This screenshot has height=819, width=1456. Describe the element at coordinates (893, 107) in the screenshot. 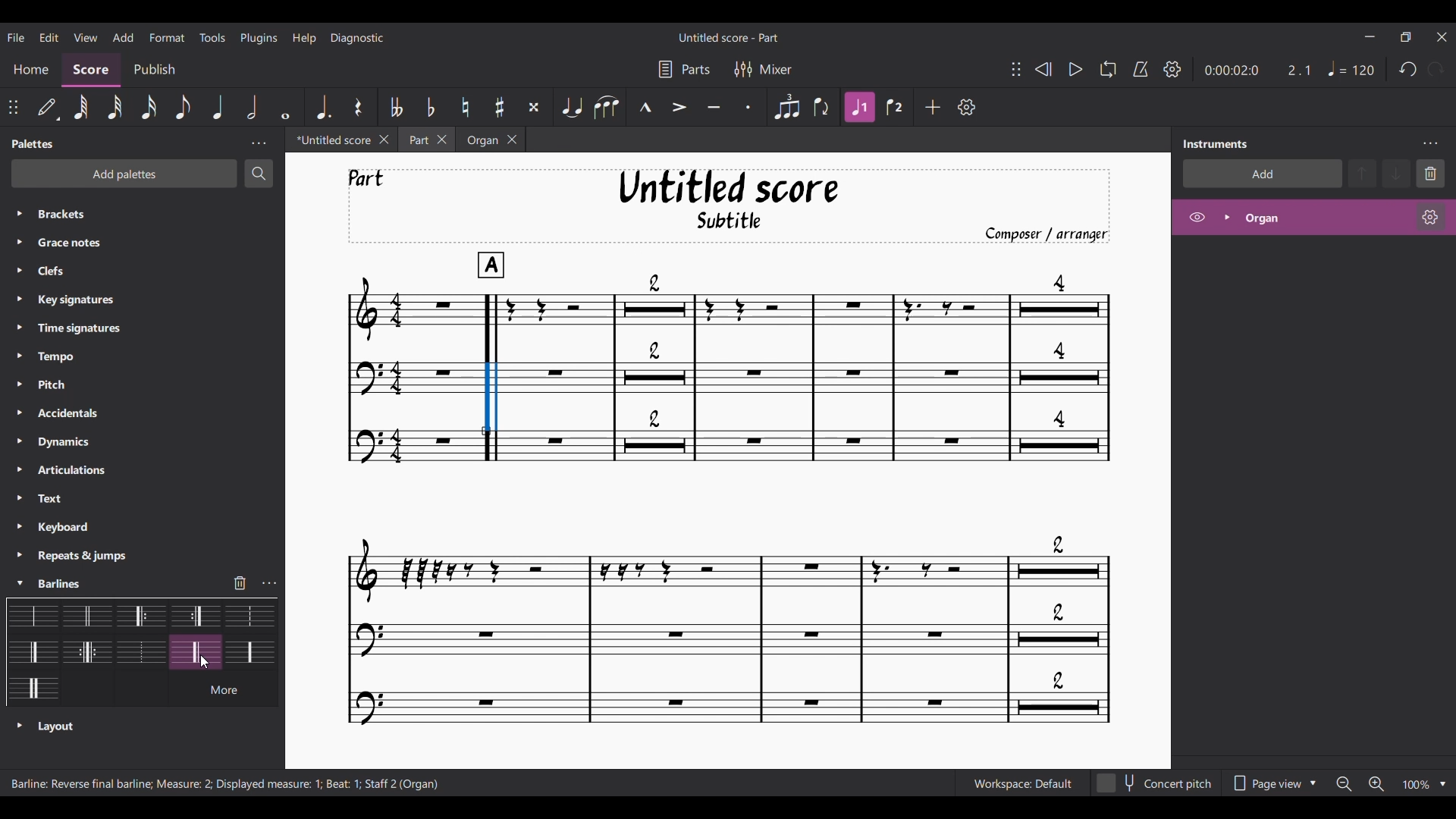

I see `Voice 2` at that location.